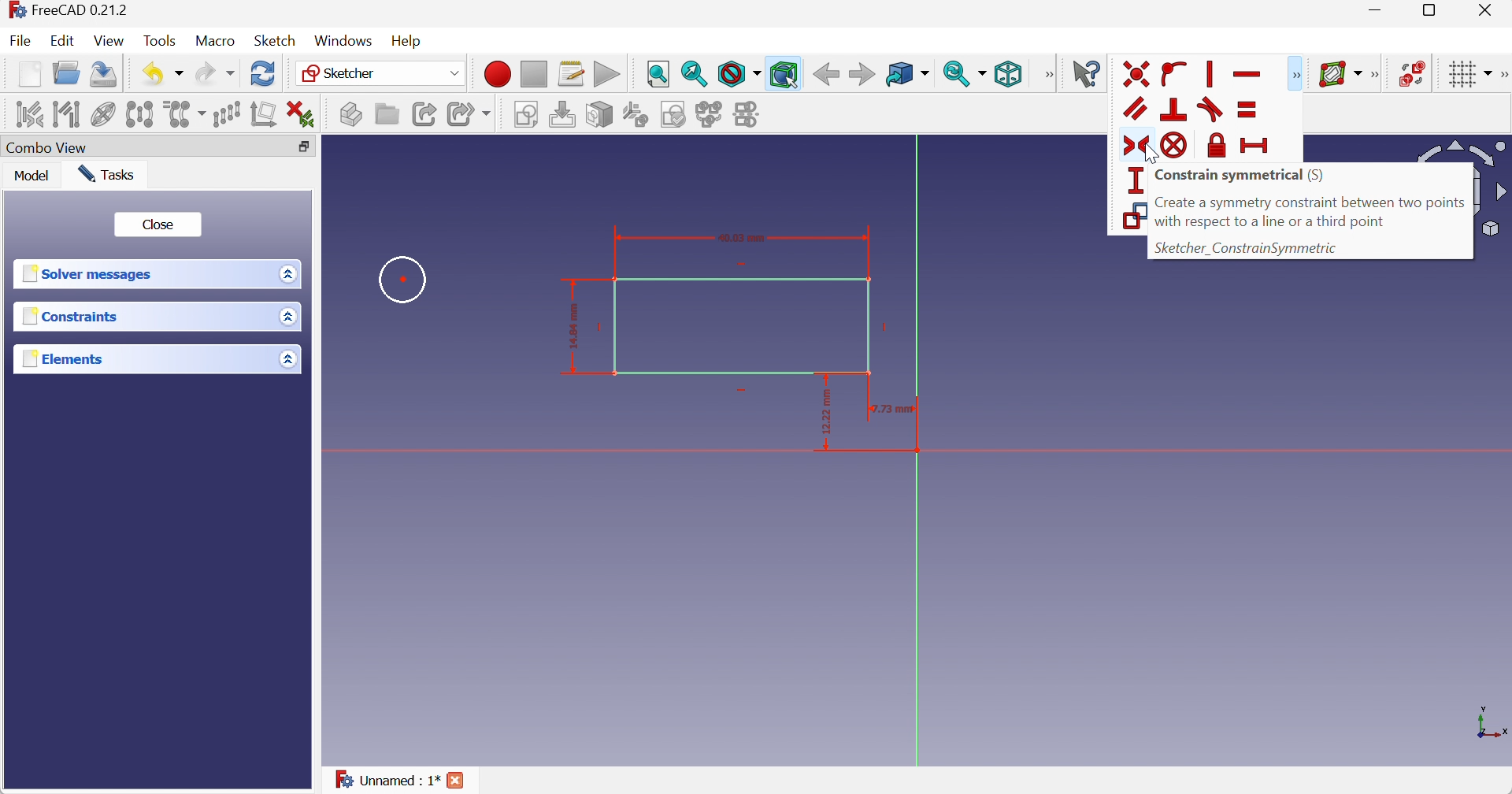  I want to click on File, so click(20, 40).